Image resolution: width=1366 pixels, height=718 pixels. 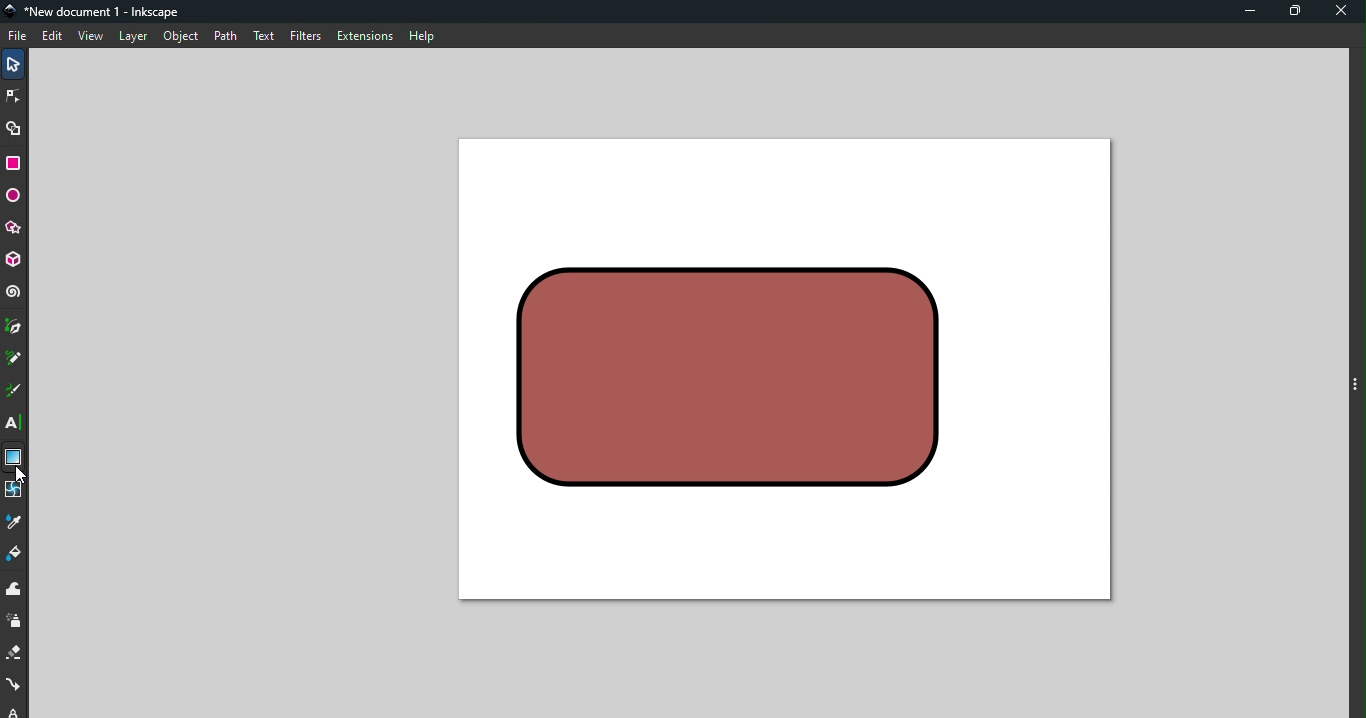 I want to click on 3D box tool, so click(x=15, y=260).